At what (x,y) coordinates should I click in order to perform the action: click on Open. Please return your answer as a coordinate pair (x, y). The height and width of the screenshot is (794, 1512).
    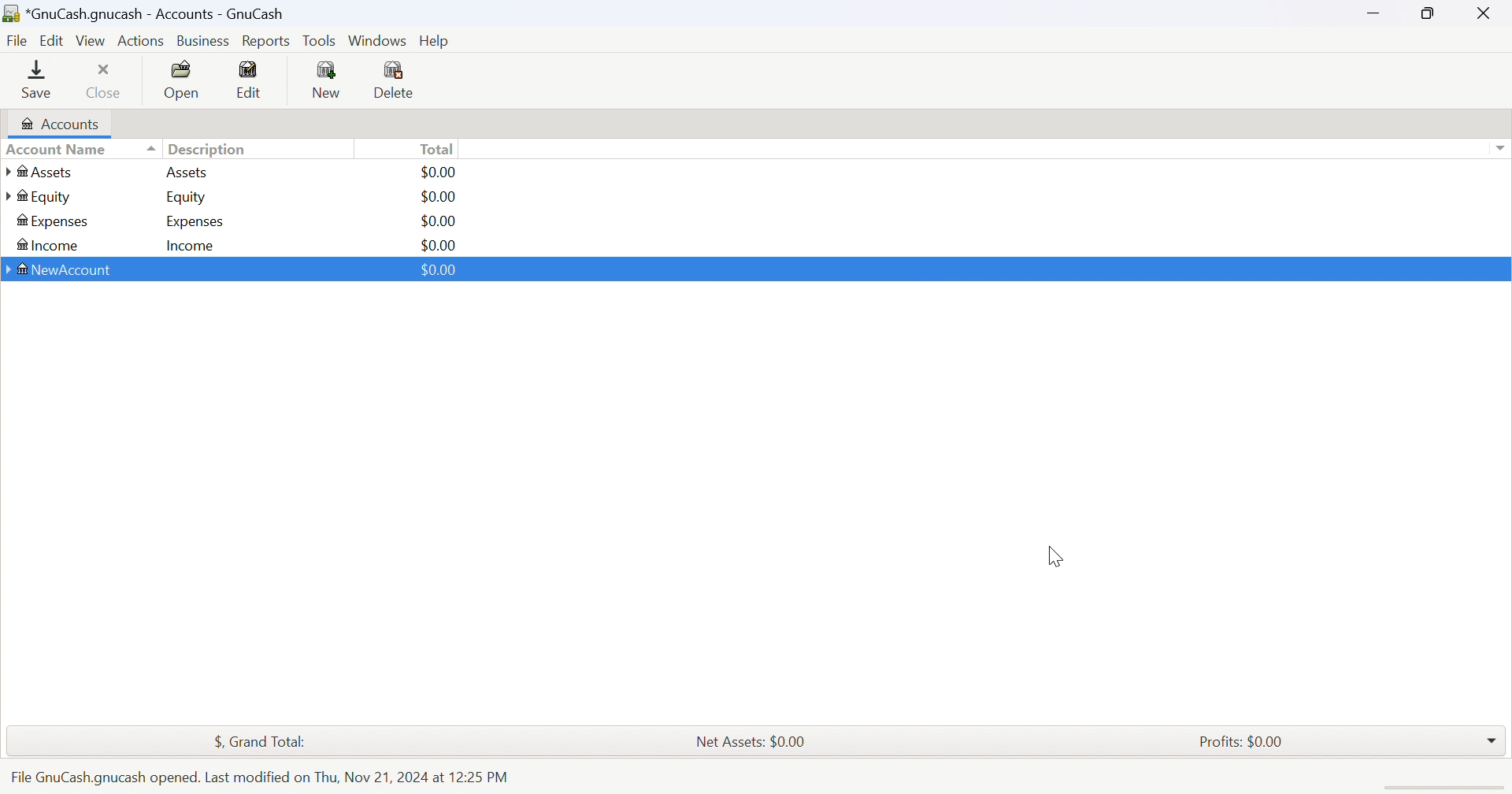
    Looking at the image, I should click on (183, 80).